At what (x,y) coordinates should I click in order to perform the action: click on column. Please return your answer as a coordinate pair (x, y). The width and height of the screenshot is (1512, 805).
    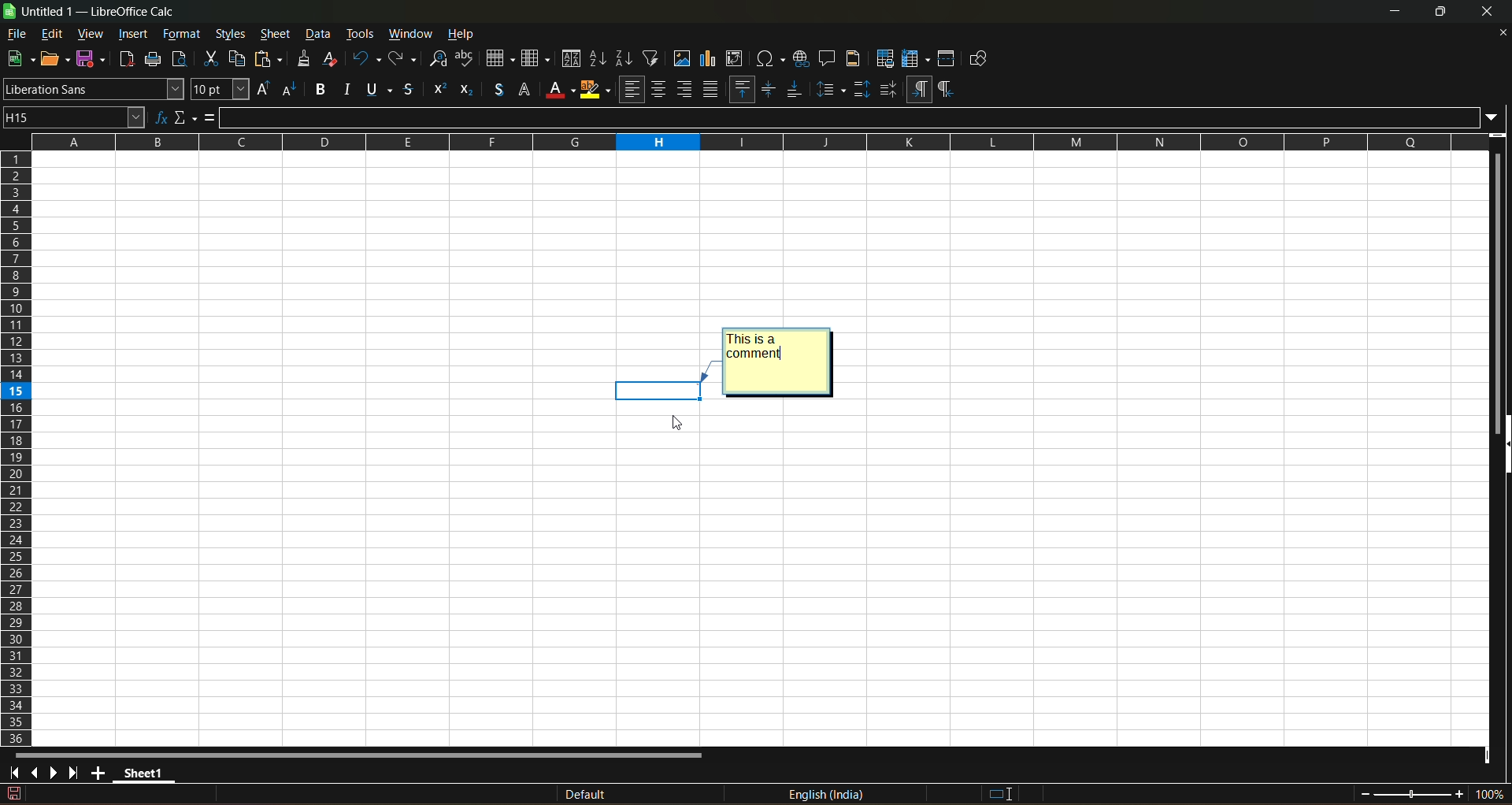
    Looking at the image, I should click on (536, 58).